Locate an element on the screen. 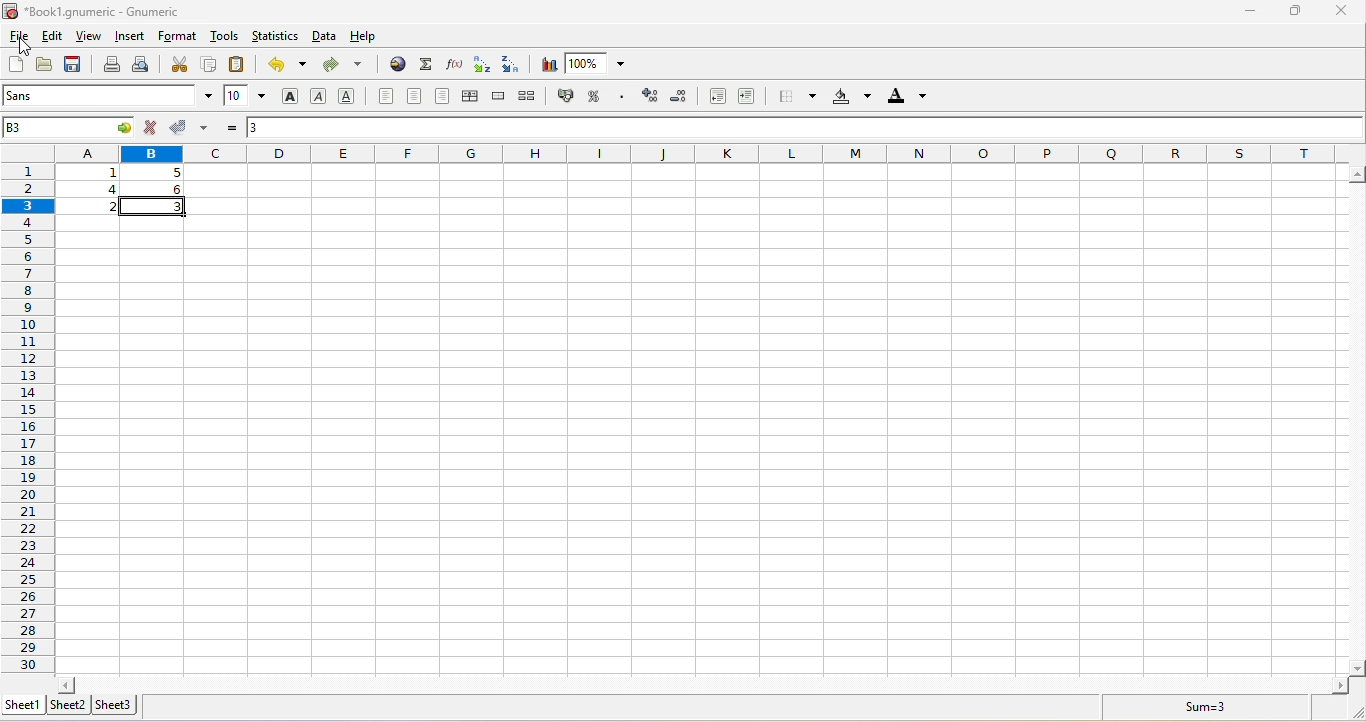  format the selection as accounting is located at coordinates (566, 95).